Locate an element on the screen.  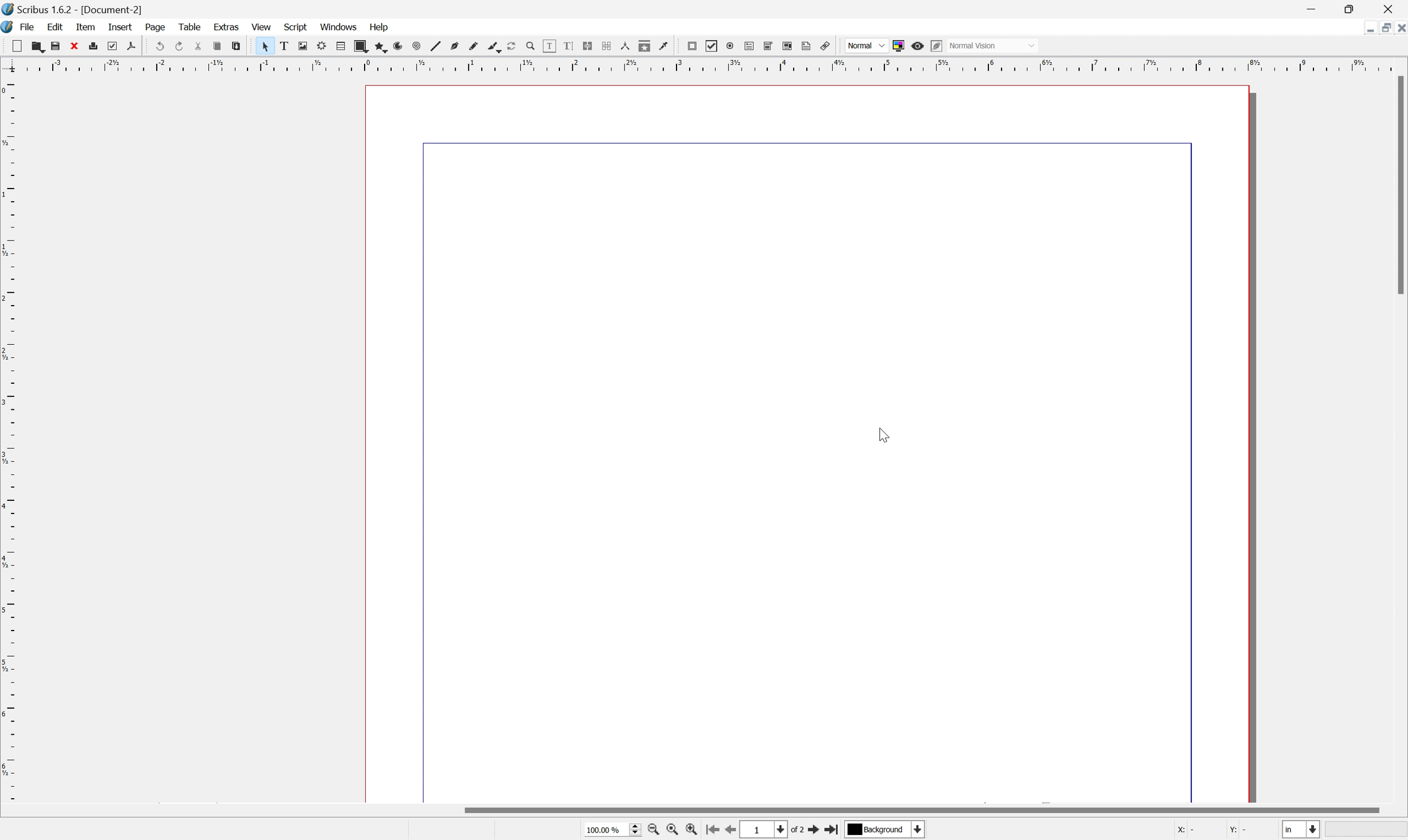
Minimize is located at coordinates (1315, 8).